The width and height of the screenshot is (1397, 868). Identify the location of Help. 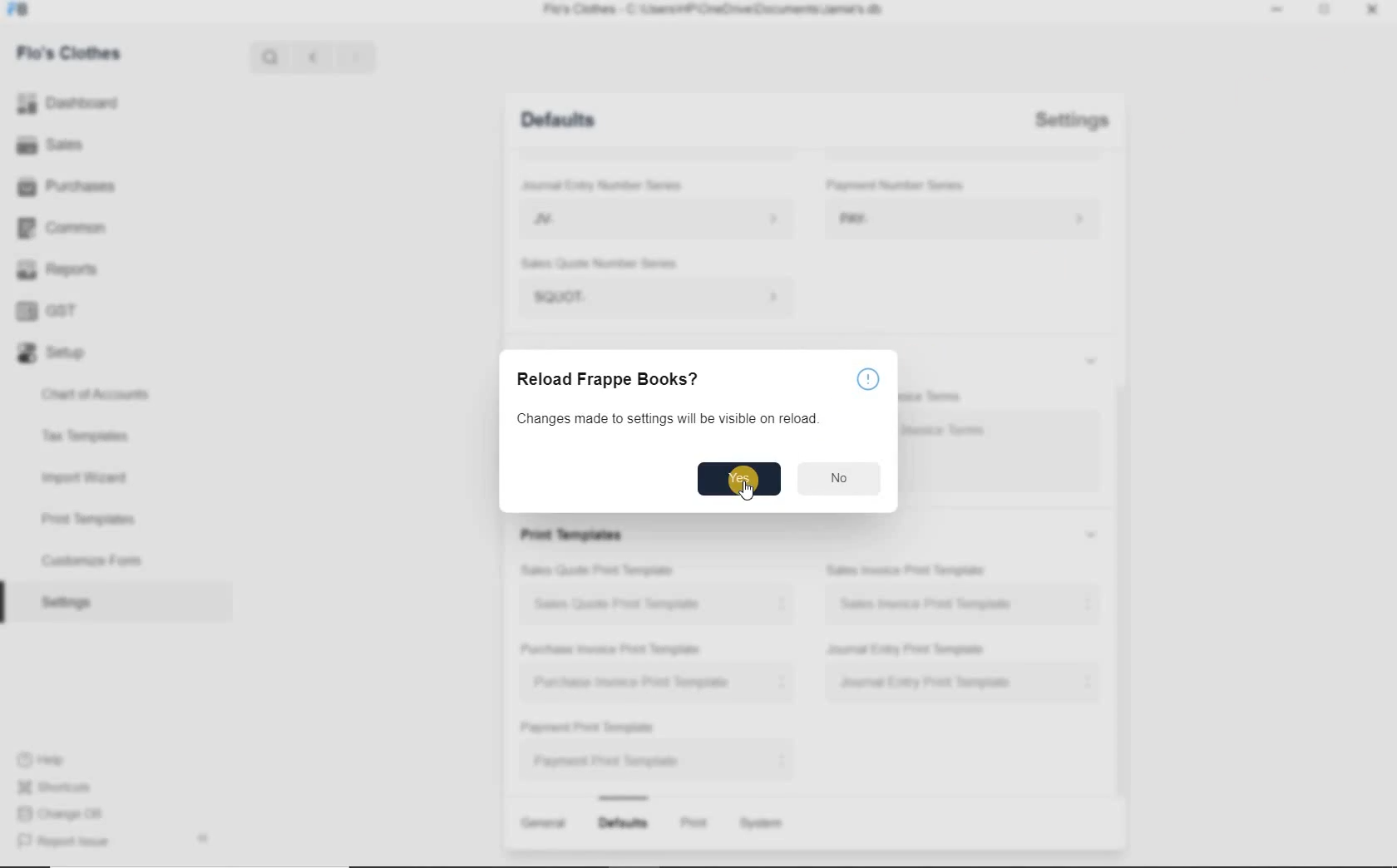
(47, 762).